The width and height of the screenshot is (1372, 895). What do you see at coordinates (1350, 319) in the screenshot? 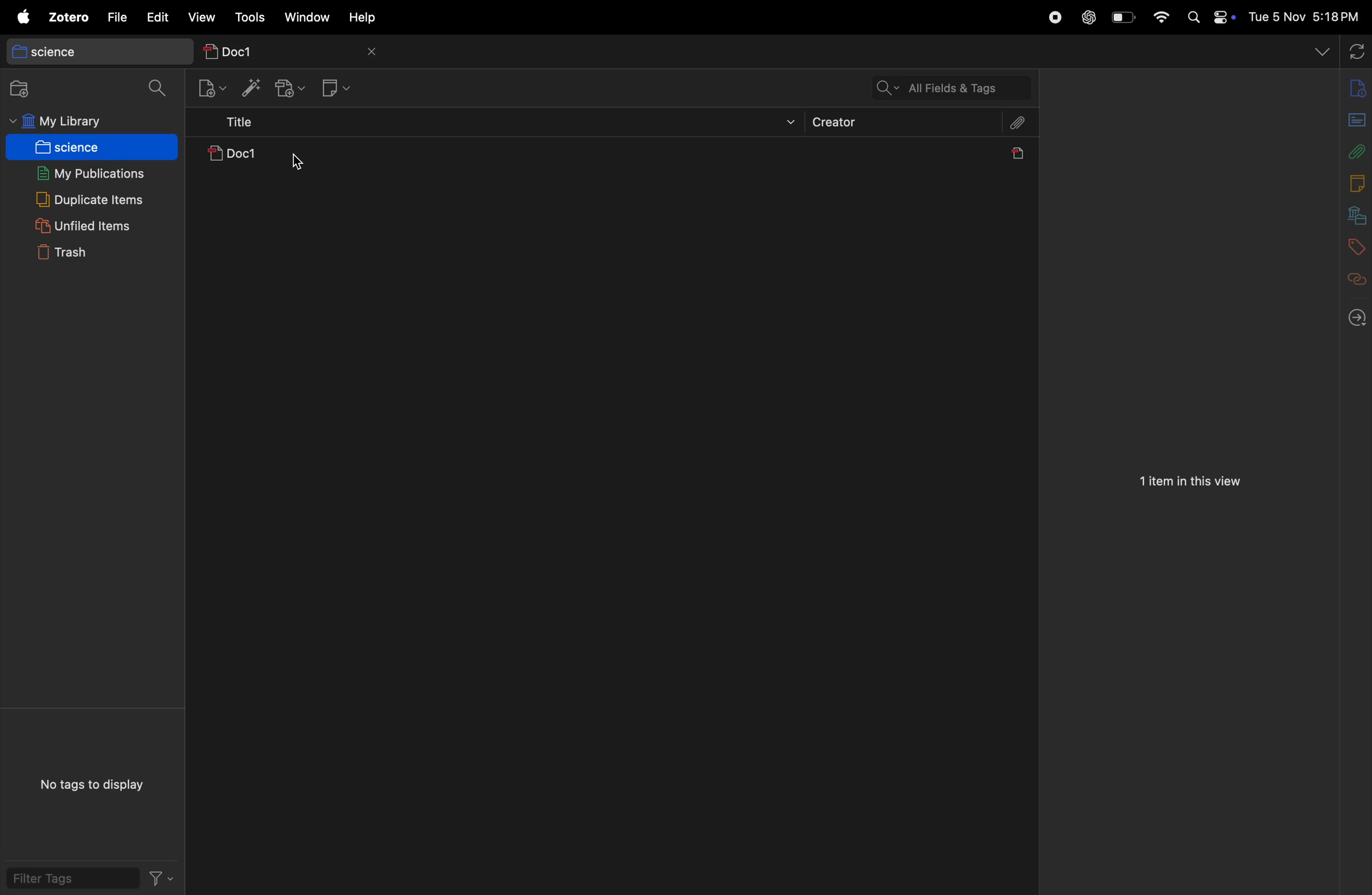
I see `Proceed` at bounding box center [1350, 319].